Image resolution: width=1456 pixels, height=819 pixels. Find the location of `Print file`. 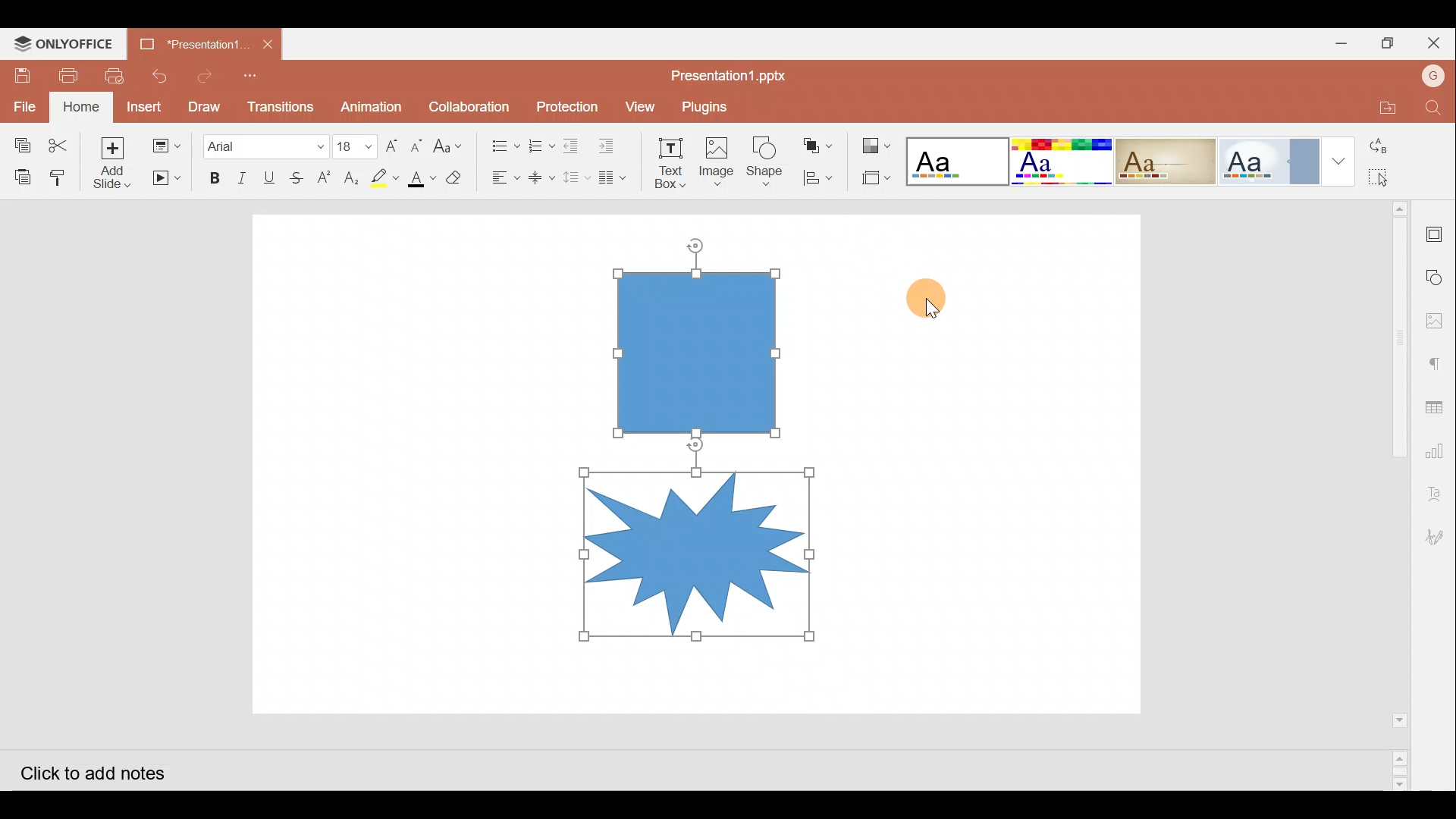

Print file is located at coordinates (73, 74).